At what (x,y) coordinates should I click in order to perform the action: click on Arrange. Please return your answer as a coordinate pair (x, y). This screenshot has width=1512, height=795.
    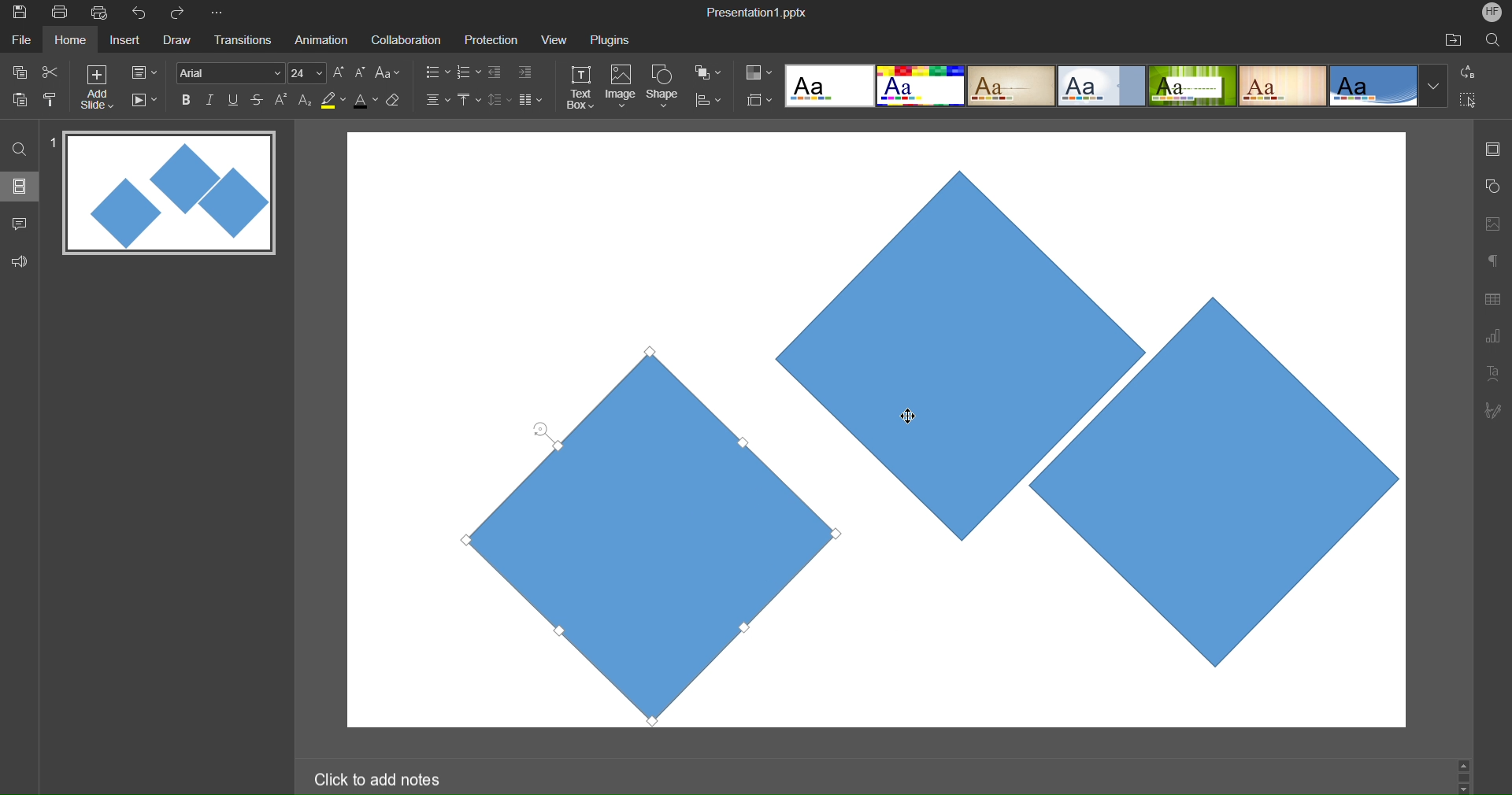
    Looking at the image, I should click on (709, 72).